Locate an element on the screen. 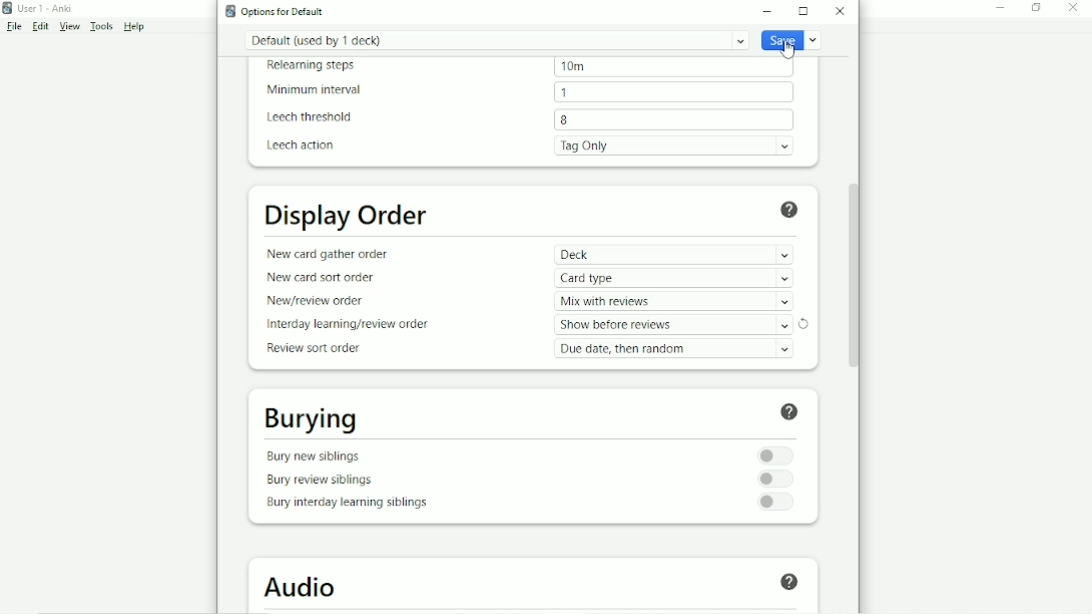 The width and height of the screenshot is (1092, 614). New card sort order is located at coordinates (322, 279).